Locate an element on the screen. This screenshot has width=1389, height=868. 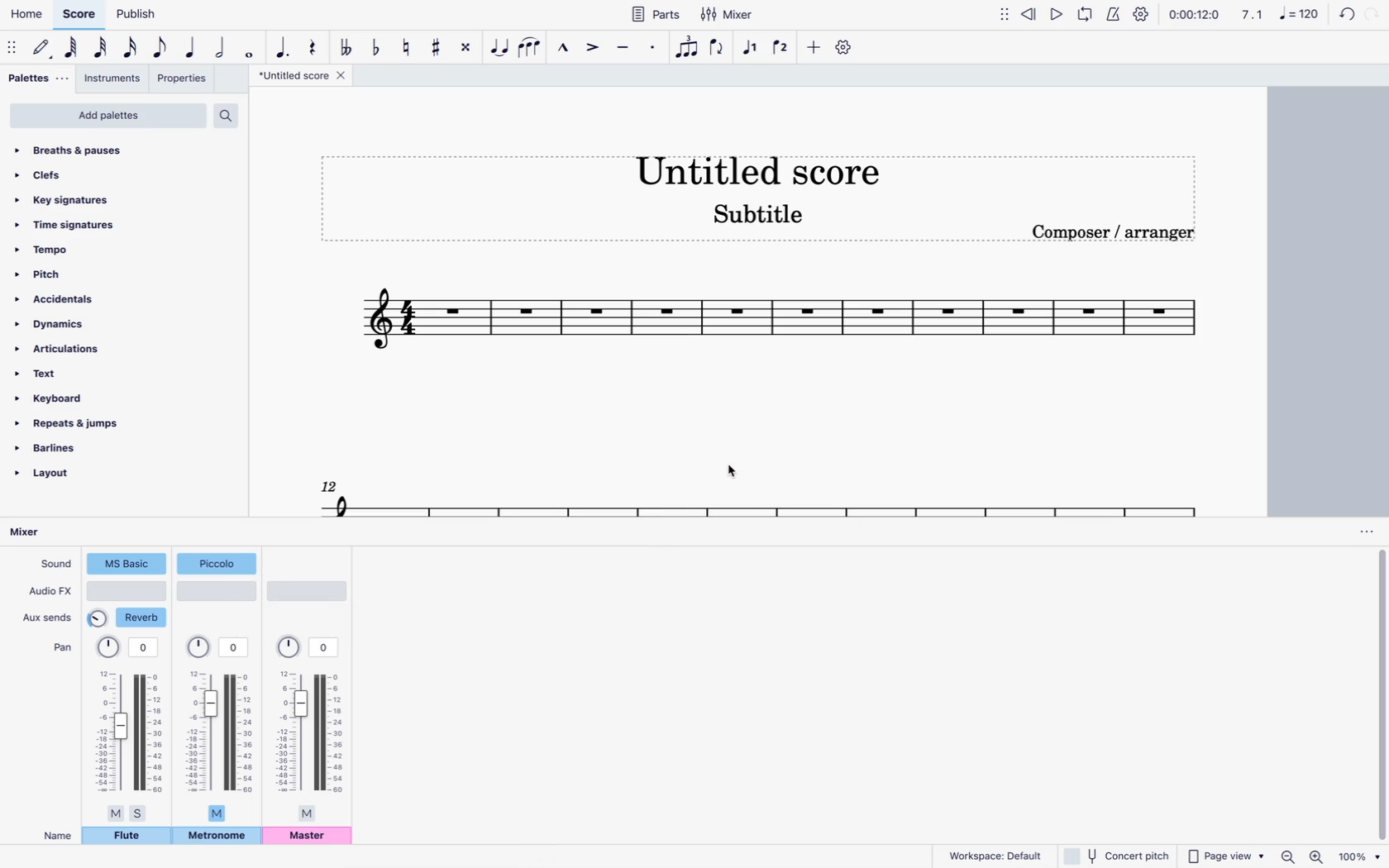
64th note is located at coordinates (71, 50).